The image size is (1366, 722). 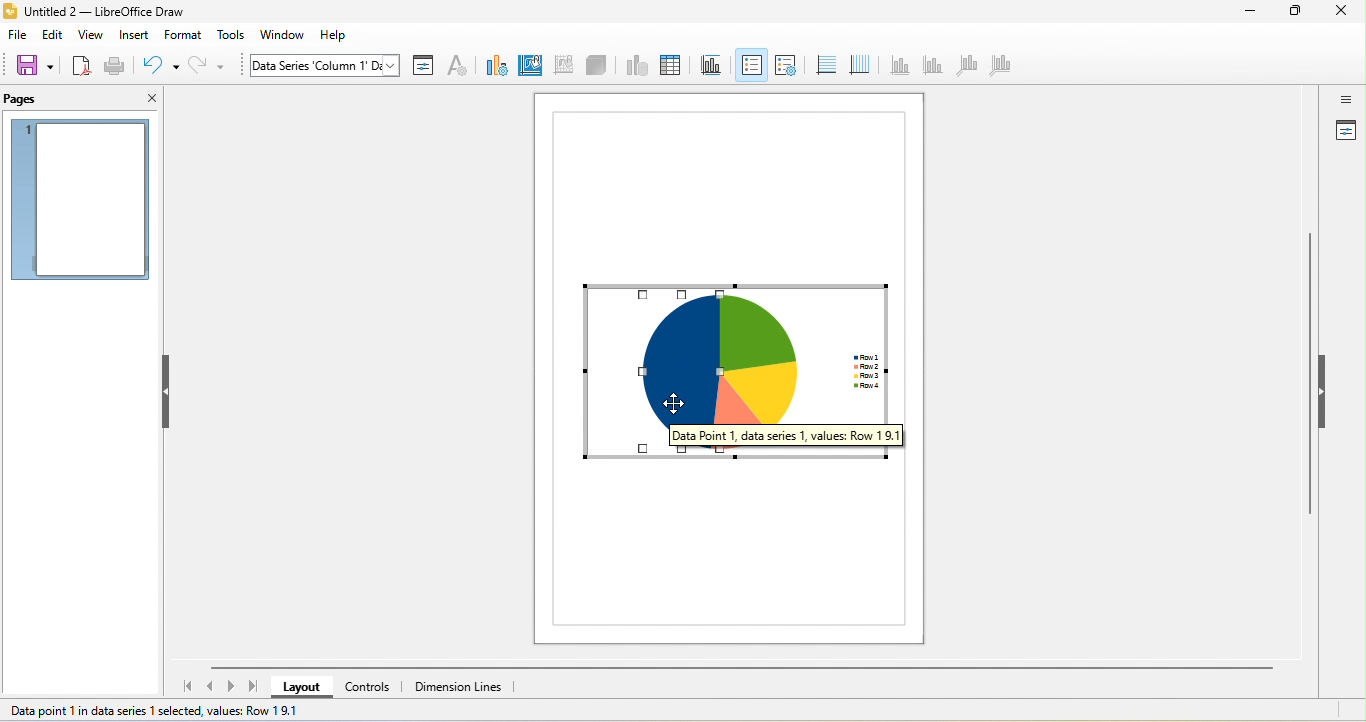 What do you see at coordinates (338, 35) in the screenshot?
I see `help` at bounding box center [338, 35].